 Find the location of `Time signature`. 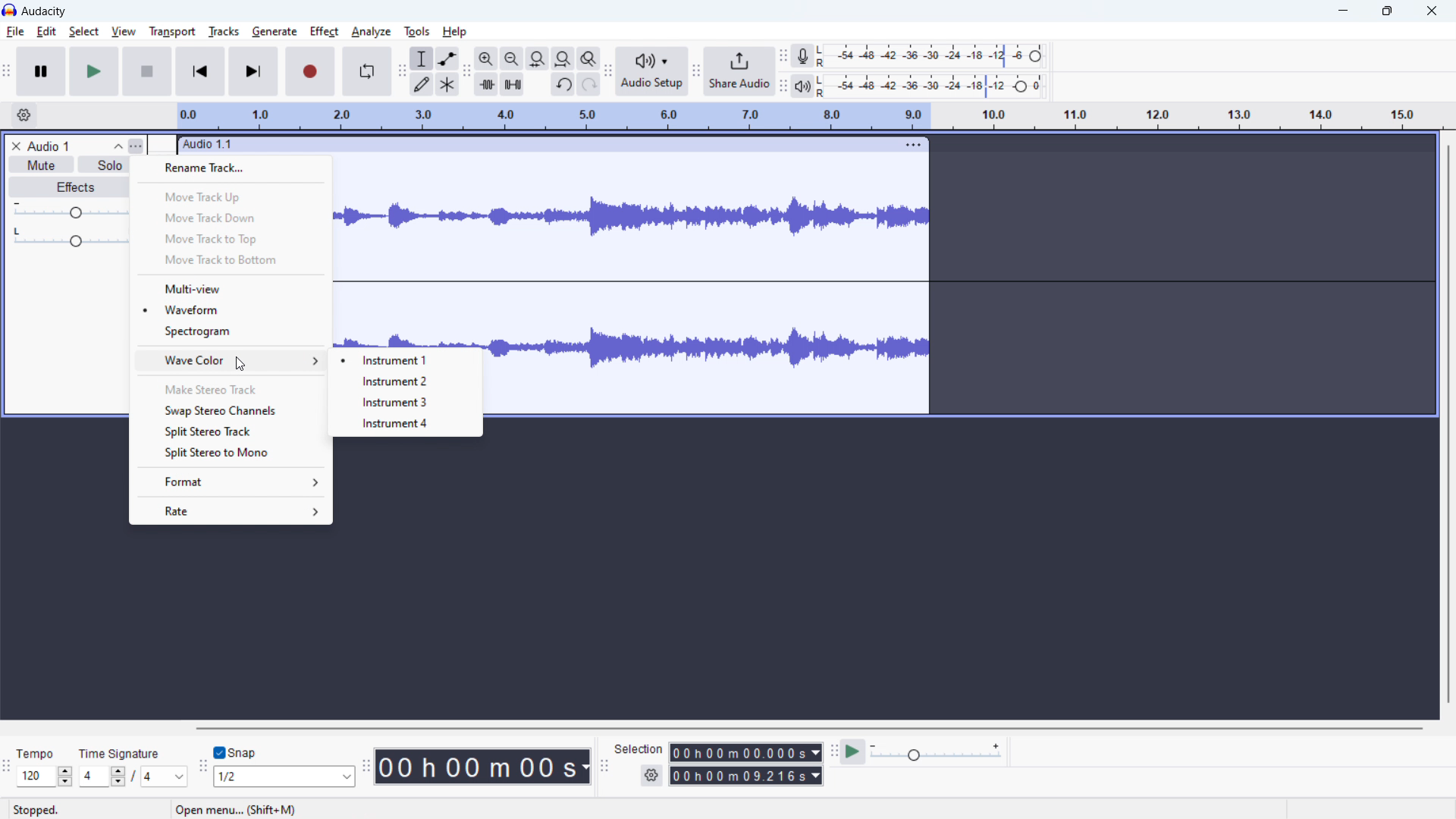

Time signature is located at coordinates (121, 745).